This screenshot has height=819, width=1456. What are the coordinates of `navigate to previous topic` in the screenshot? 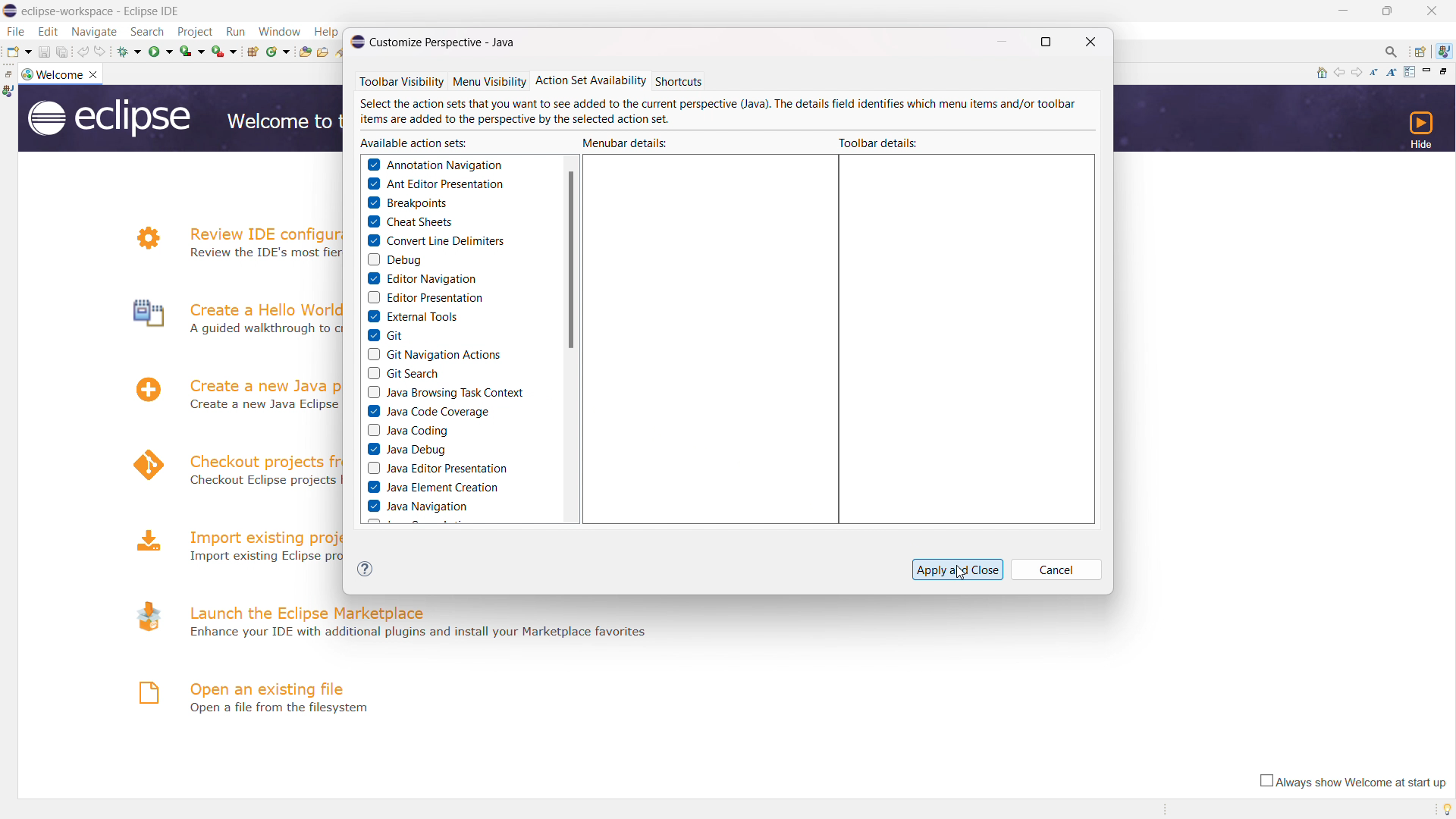 It's located at (1339, 73).